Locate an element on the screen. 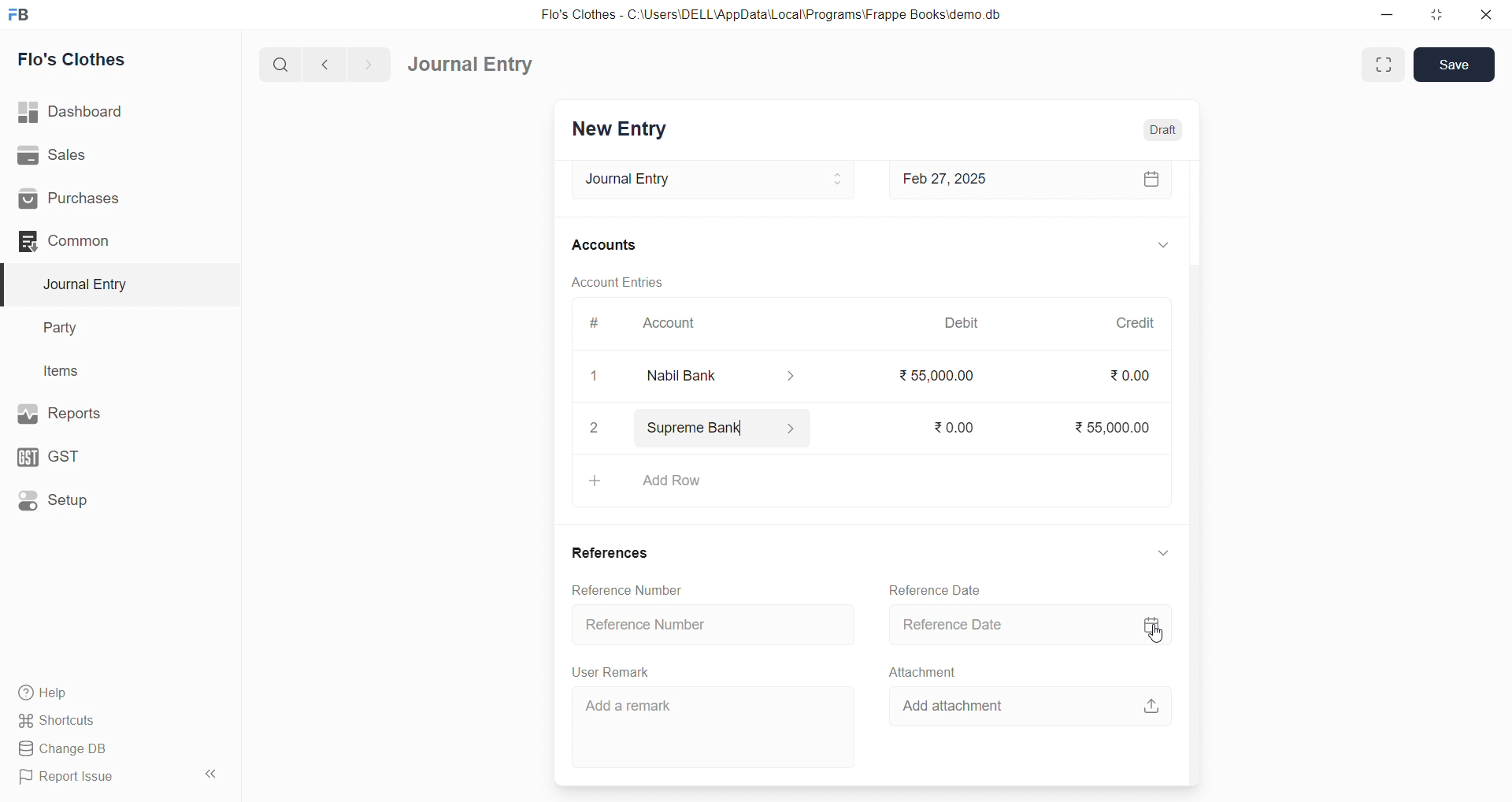  Debit is located at coordinates (961, 323).